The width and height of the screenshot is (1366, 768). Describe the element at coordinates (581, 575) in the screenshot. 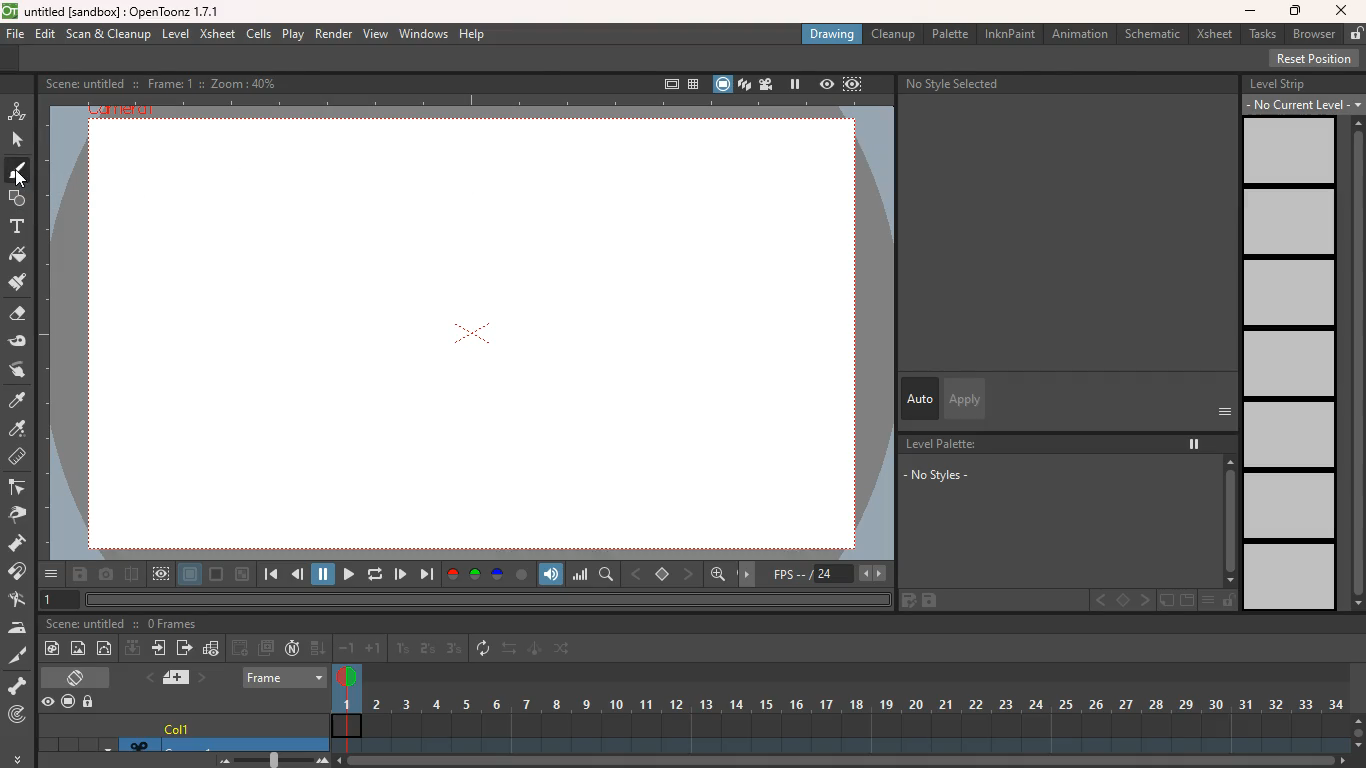

I see `scale` at that location.